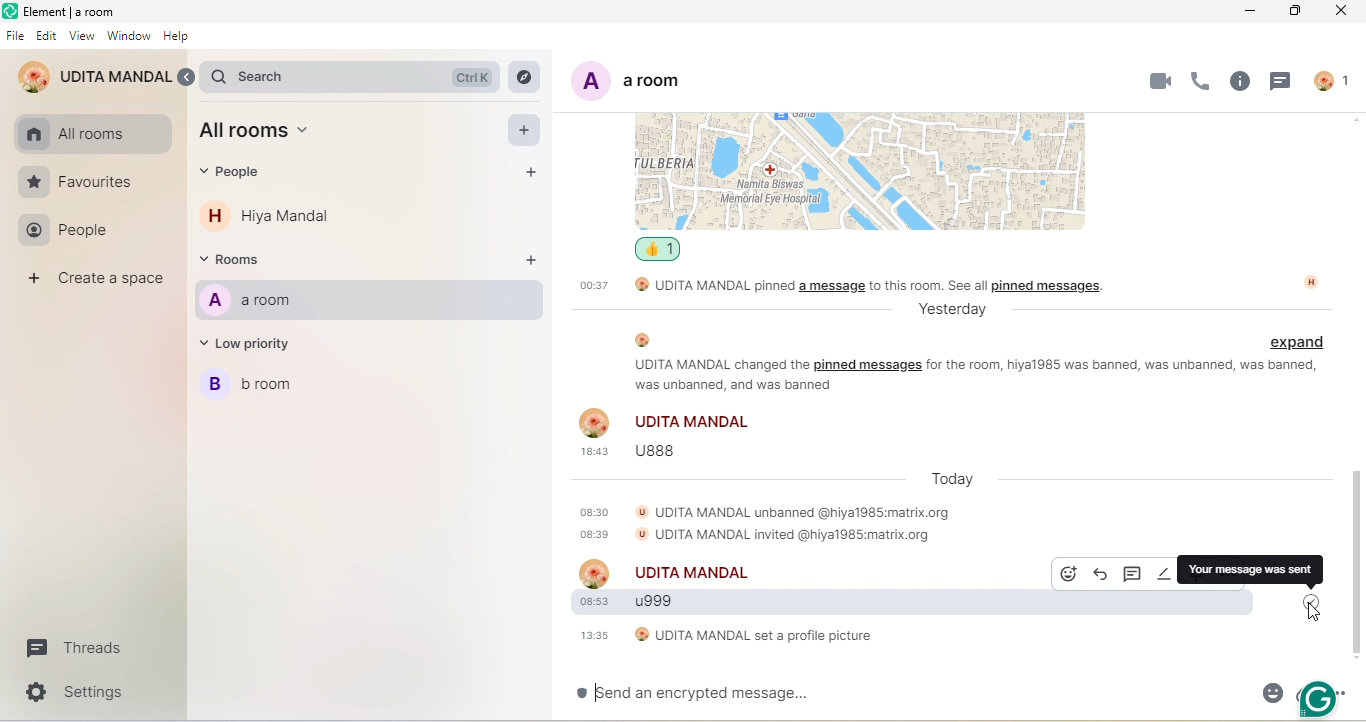 This screenshot has width=1366, height=722. Describe the element at coordinates (47, 35) in the screenshot. I see `> Edit` at that location.